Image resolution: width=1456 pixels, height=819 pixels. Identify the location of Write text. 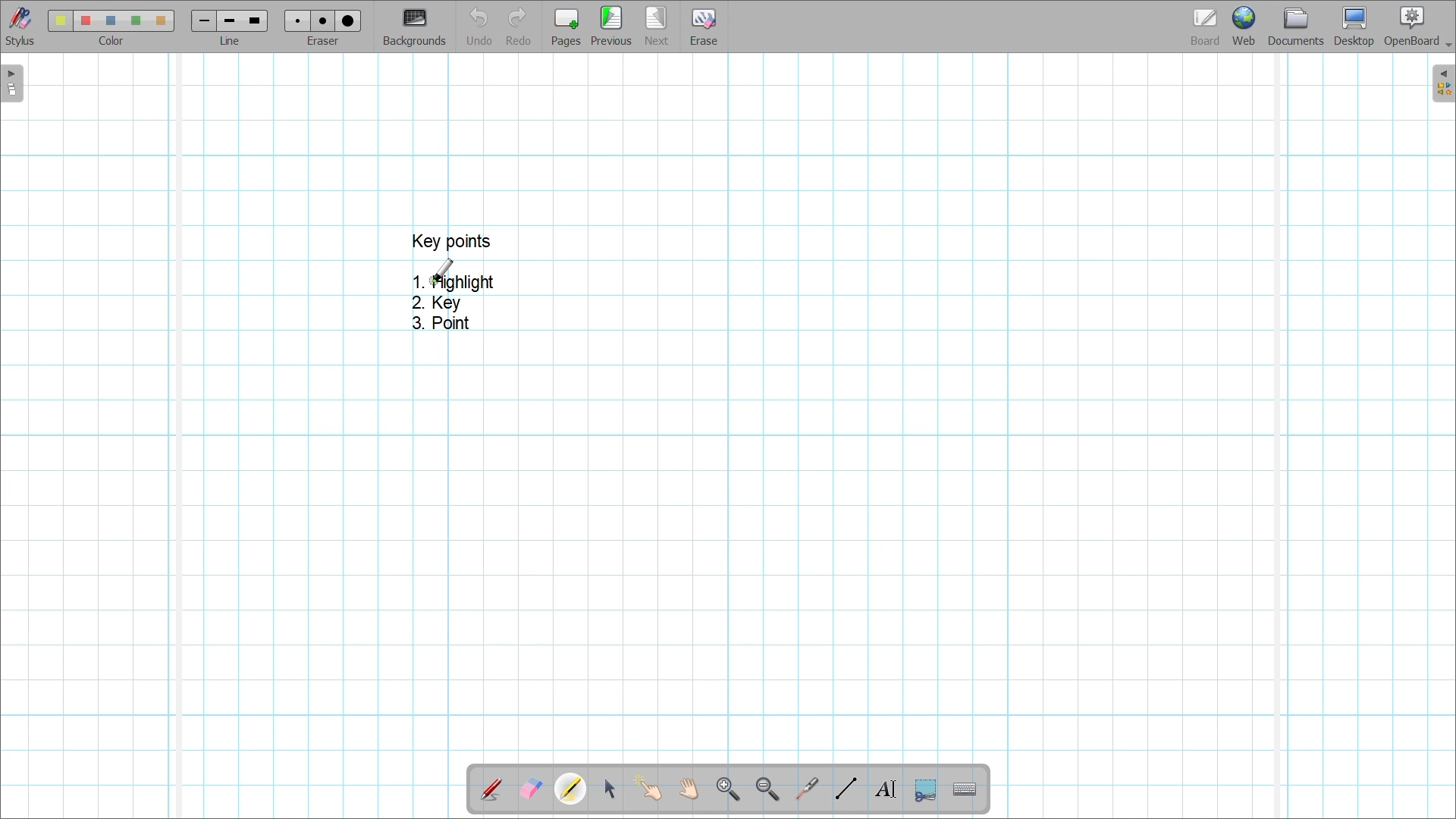
(885, 789).